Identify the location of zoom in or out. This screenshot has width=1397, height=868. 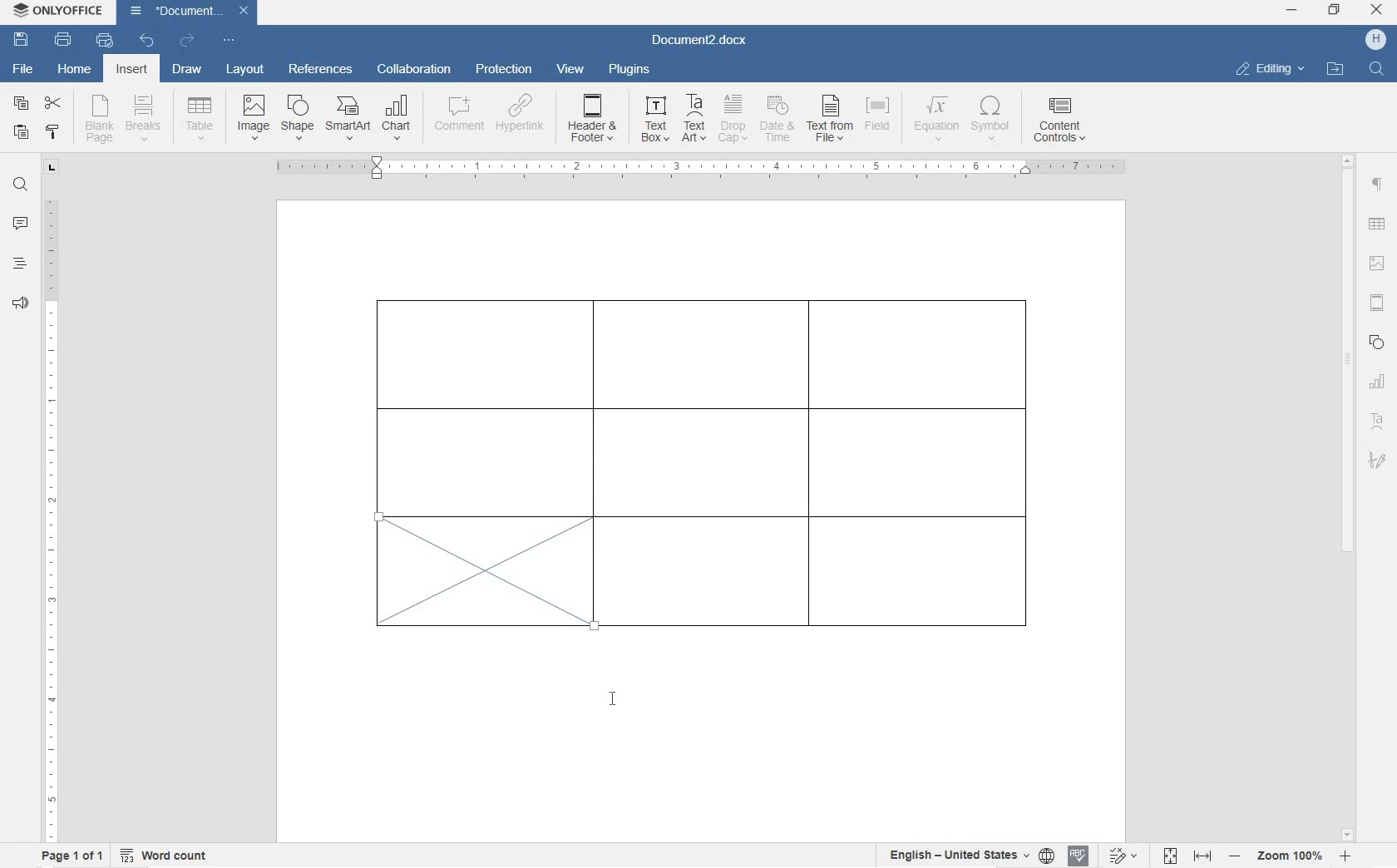
(1291, 856).